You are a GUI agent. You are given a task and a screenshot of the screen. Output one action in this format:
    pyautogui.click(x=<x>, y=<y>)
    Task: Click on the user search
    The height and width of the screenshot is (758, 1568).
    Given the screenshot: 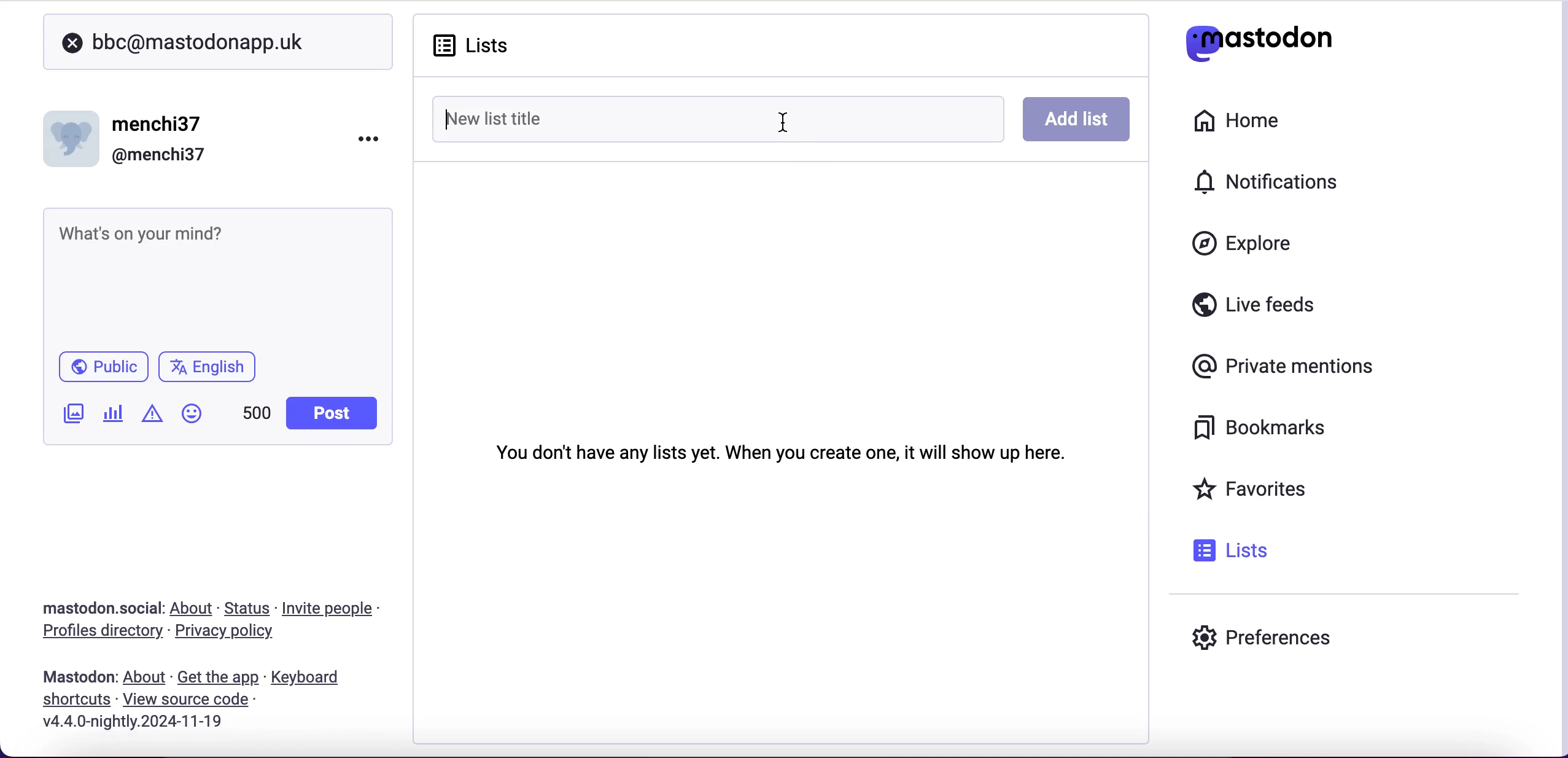 What is the action you would take?
    pyautogui.click(x=217, y=42)
    